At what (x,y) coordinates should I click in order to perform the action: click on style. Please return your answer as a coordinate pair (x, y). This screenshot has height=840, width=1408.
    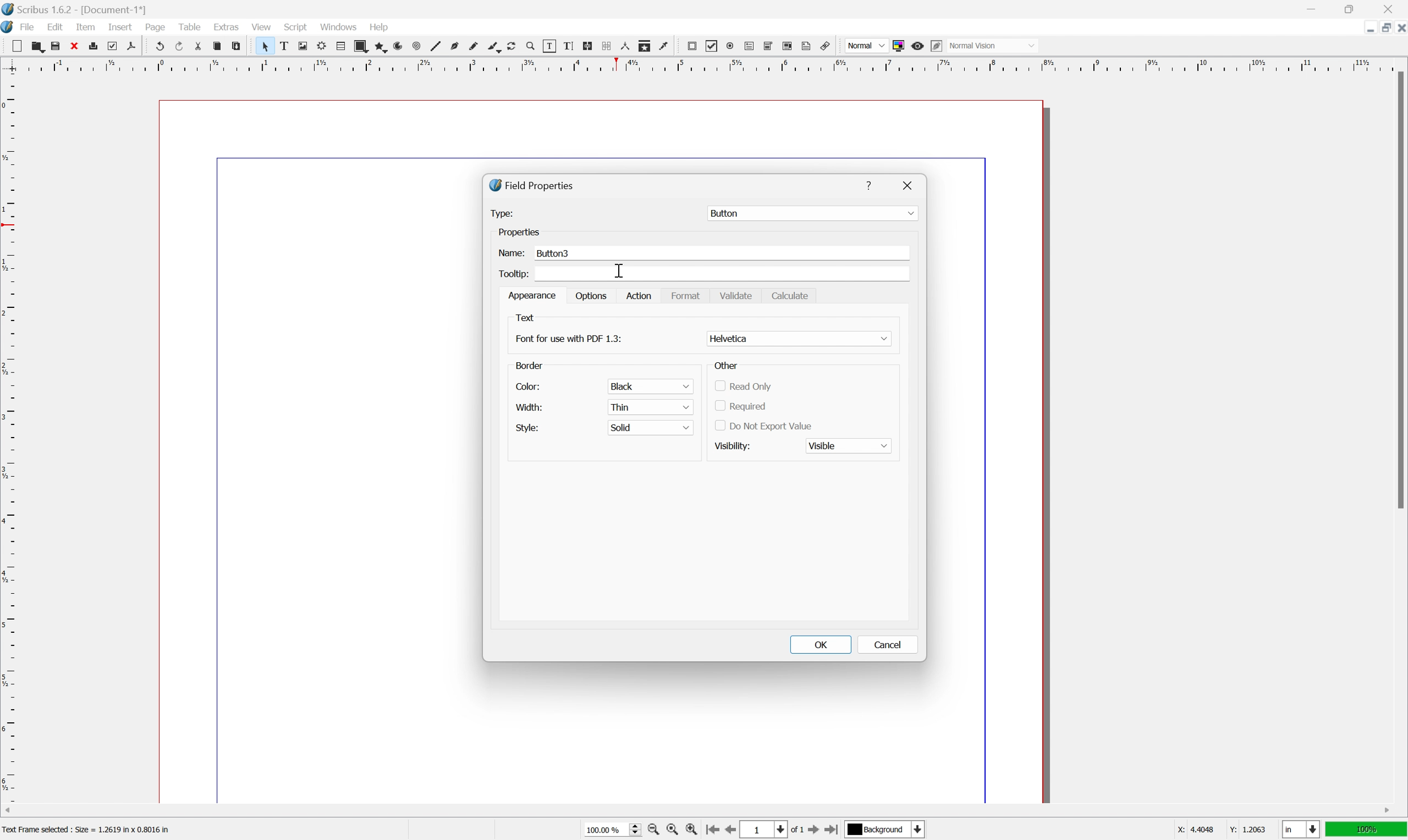
    Looking at the image, I should click on (527, 429).